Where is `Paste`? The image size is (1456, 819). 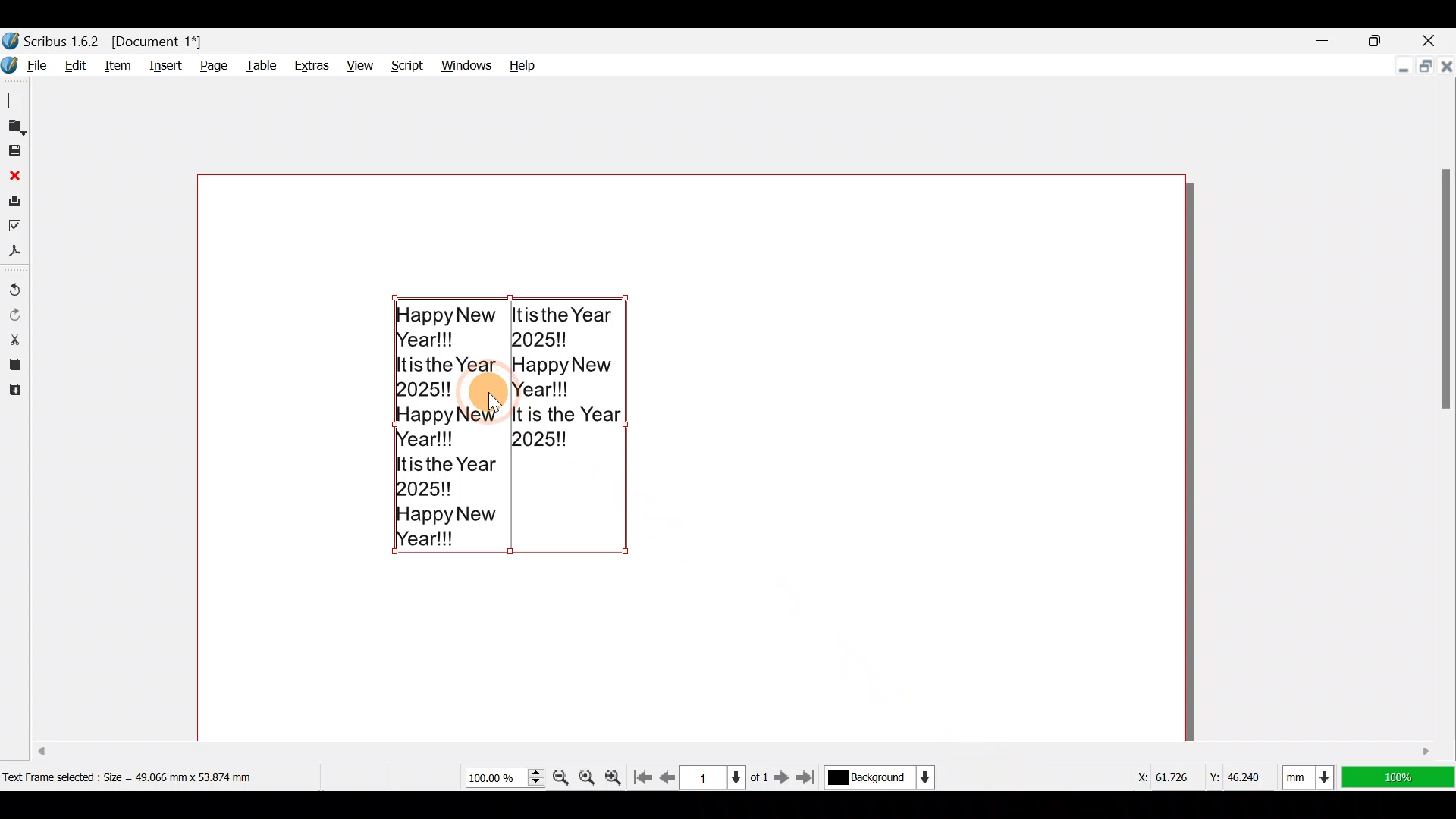 Paste is located at coordinates (14, 392).